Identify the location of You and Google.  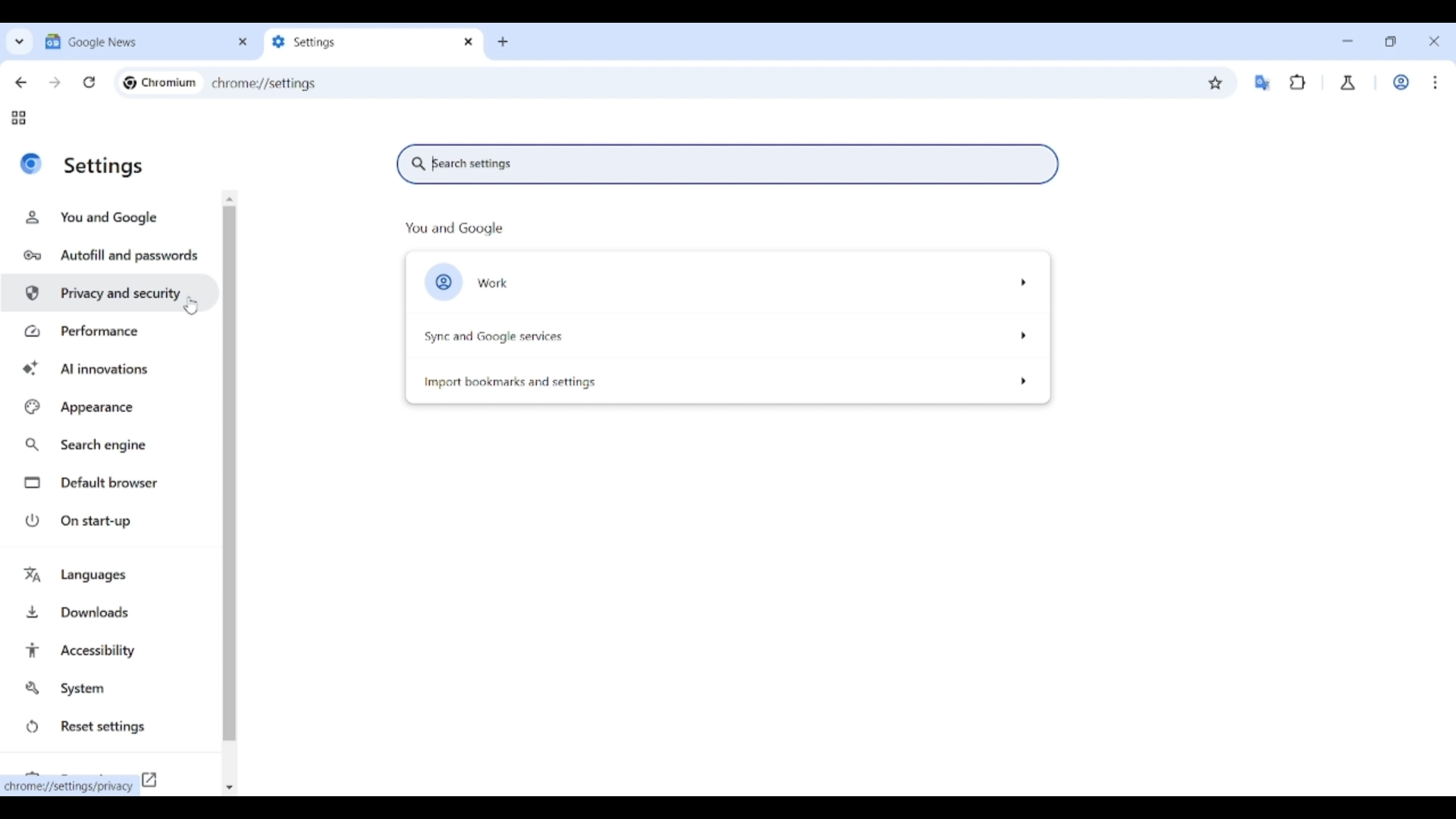
(107, 218).